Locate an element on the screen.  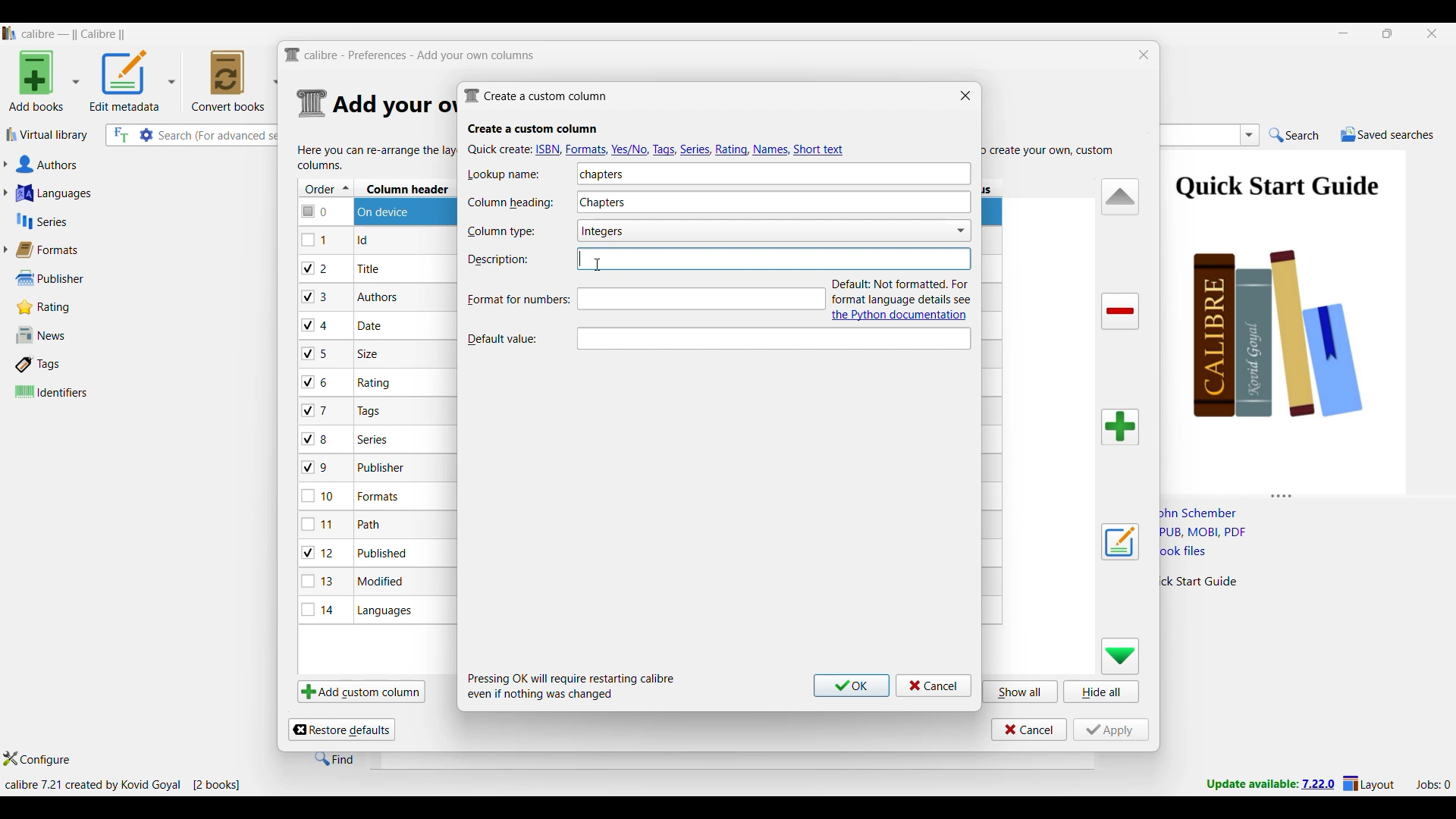
Edit settings of a user defined column is located at coordinates (1120, 542).